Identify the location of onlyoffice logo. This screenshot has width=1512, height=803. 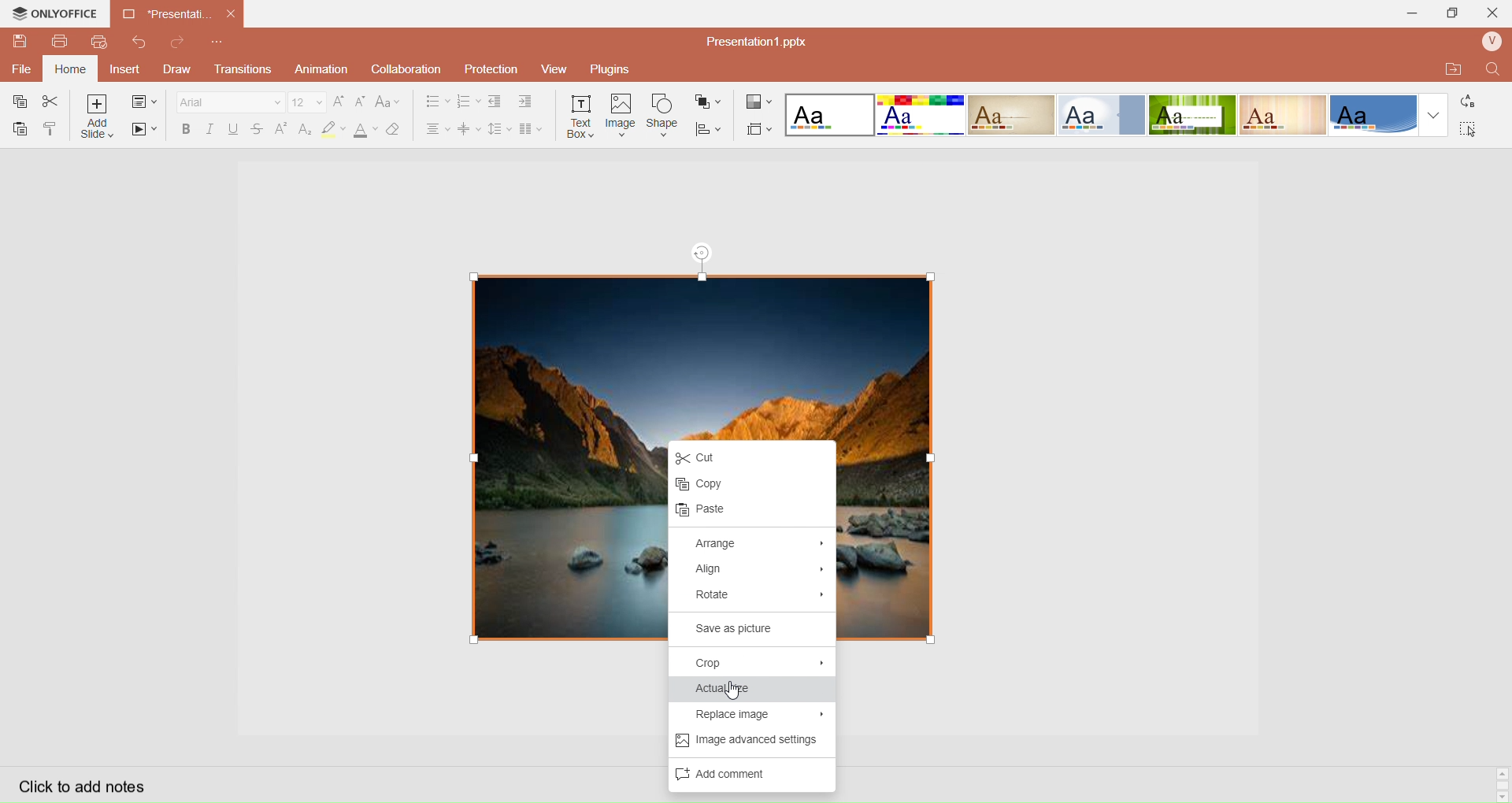
(18, 15).